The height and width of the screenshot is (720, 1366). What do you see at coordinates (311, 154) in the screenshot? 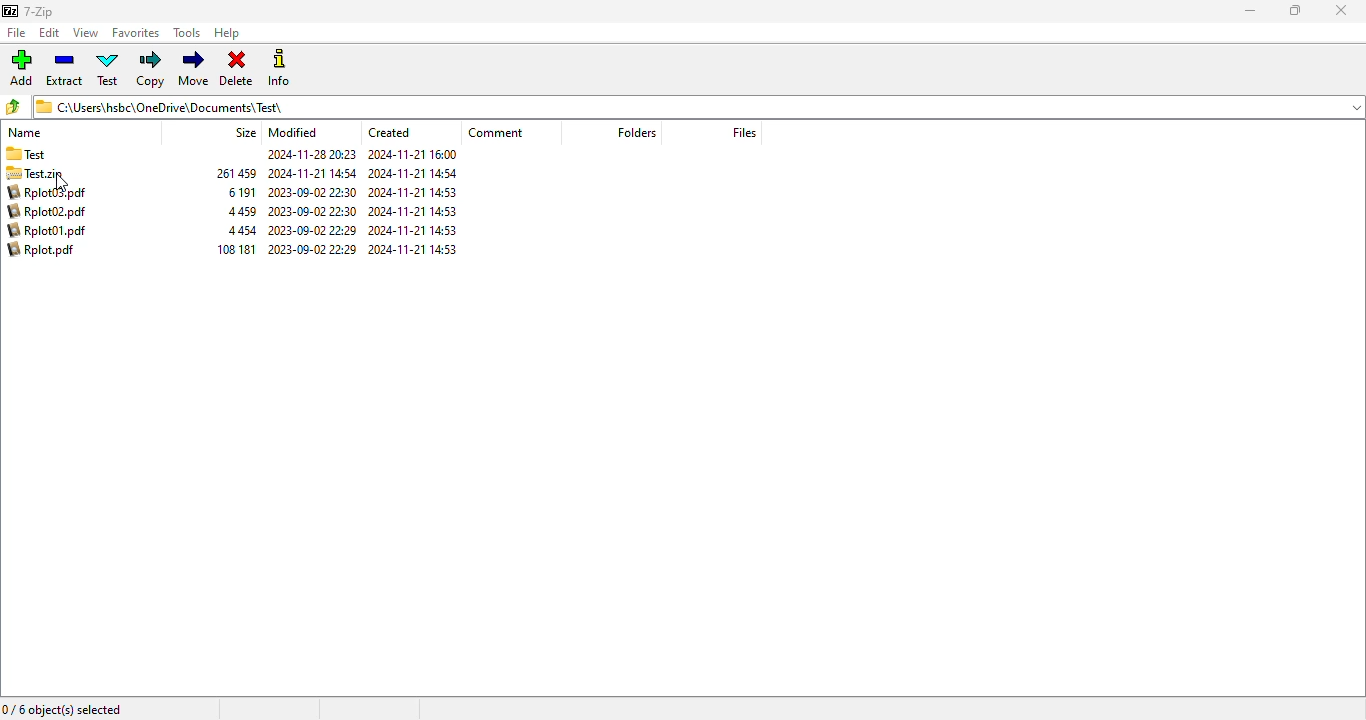
I see `` at bounding box center [311, 154].